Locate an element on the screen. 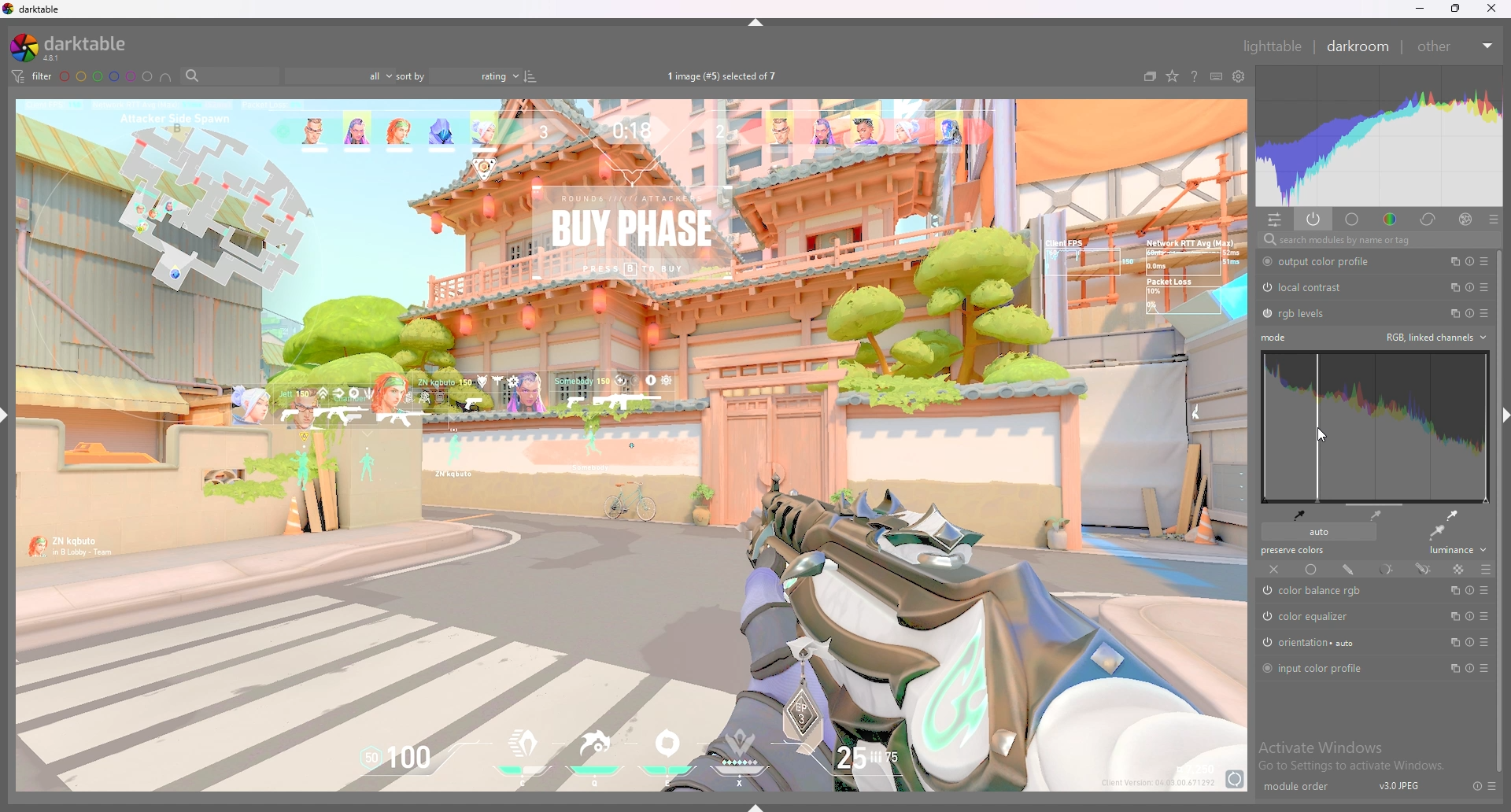 The height and width of the screenshot is (812, 1511). base is located at coordinates (1353, 220).